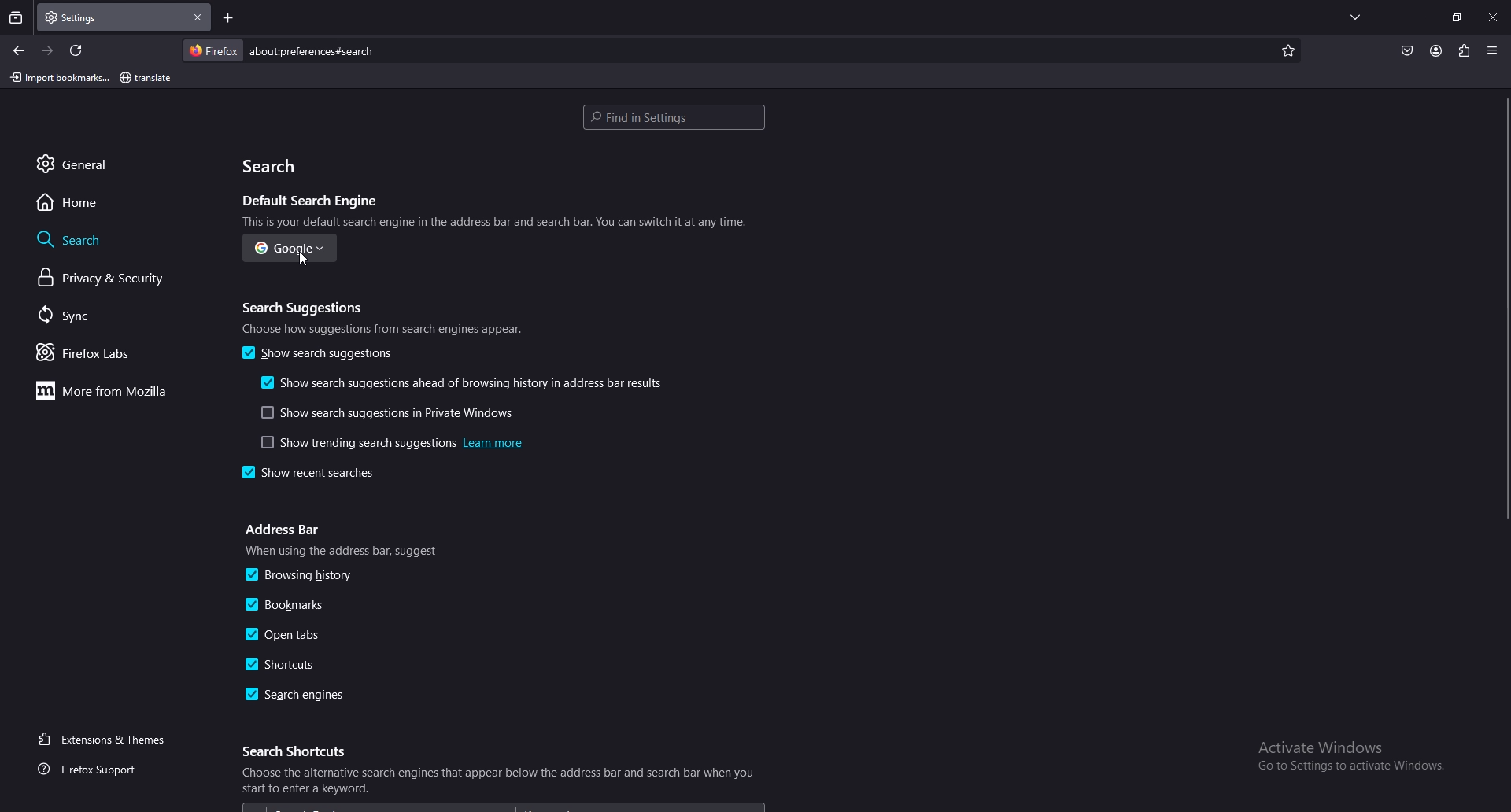 This screenshot has width=1511, height=812. What do you see at coordinates (305, 574) in the screenshot?
I see `browsing history` at bounding box center [305, 574].